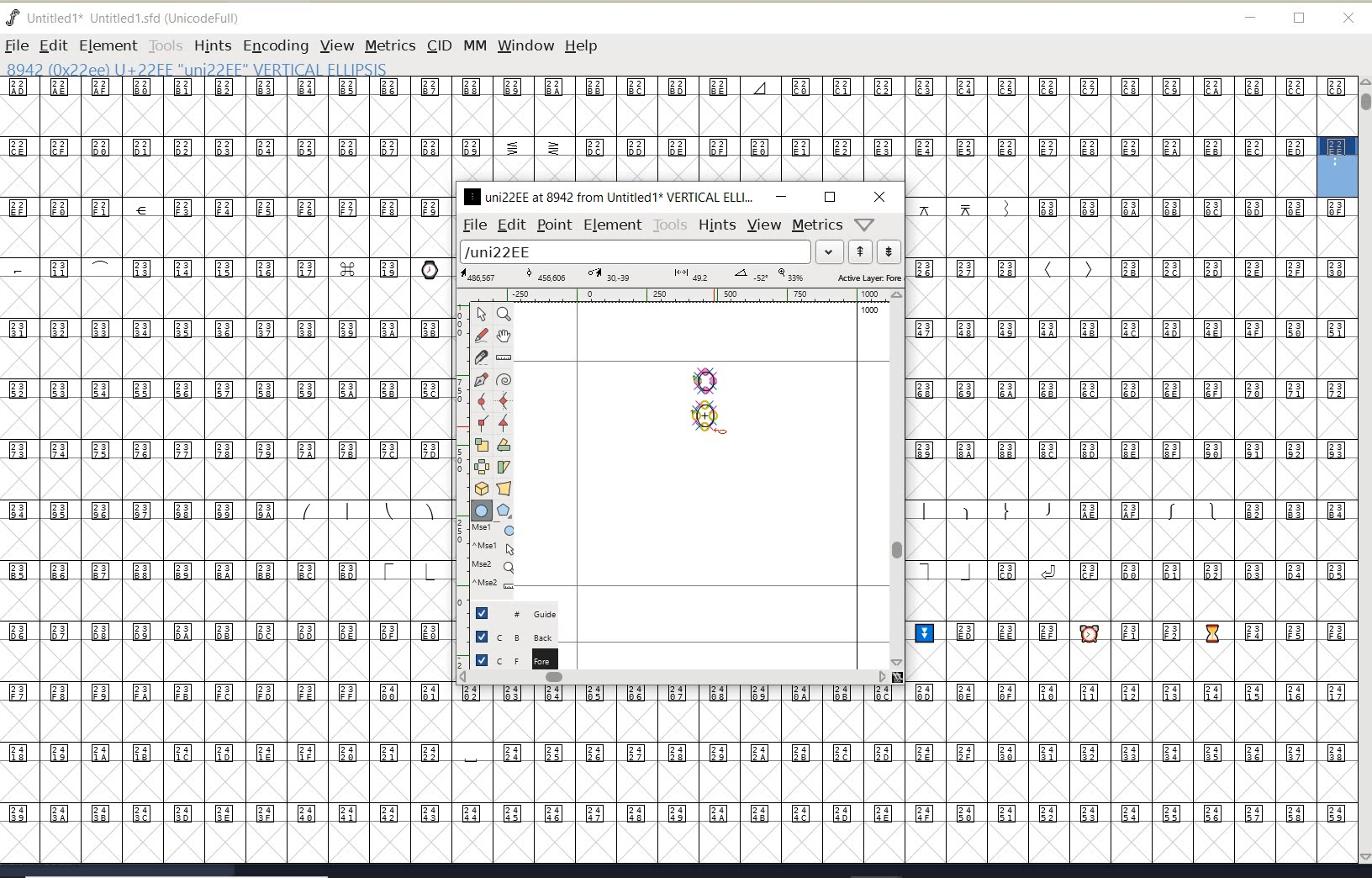 This screenshot has width=1372, height=878. Describe the element at coordinates (502, 400) in the screenshot. I see `add a curve point always either horizontal or vertical` at that location.